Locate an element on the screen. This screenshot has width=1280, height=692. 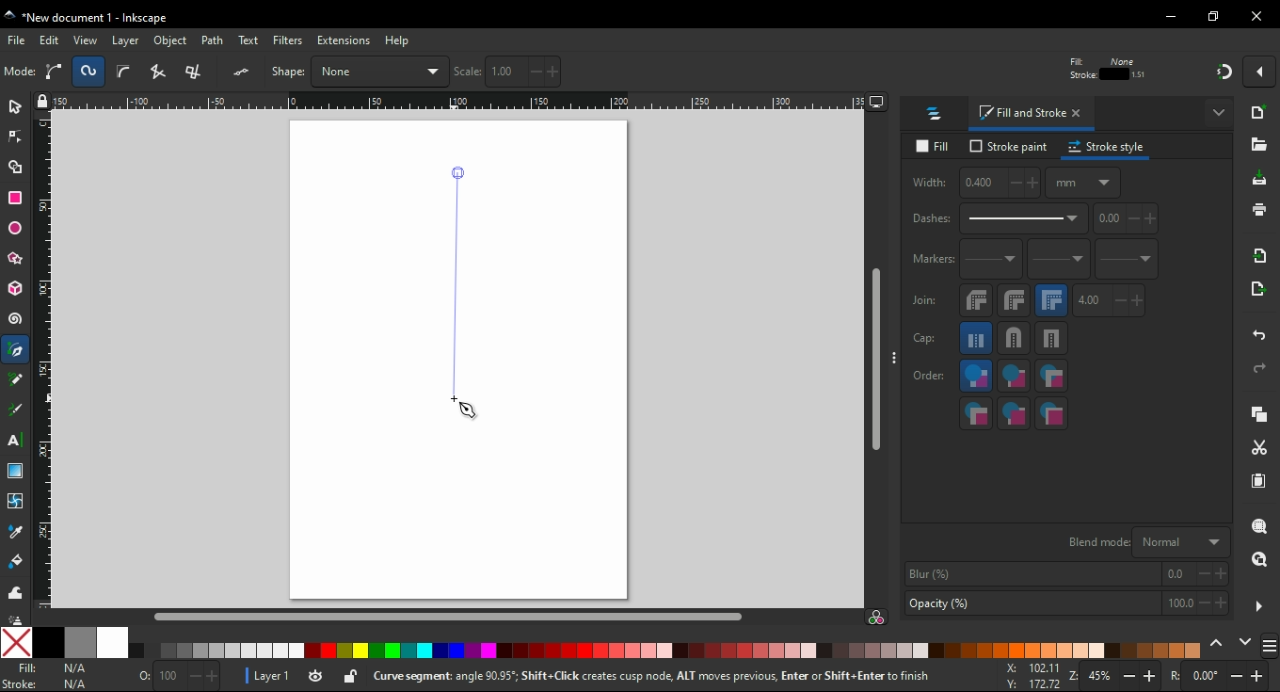
pencil is located at coordinates (16, 379).